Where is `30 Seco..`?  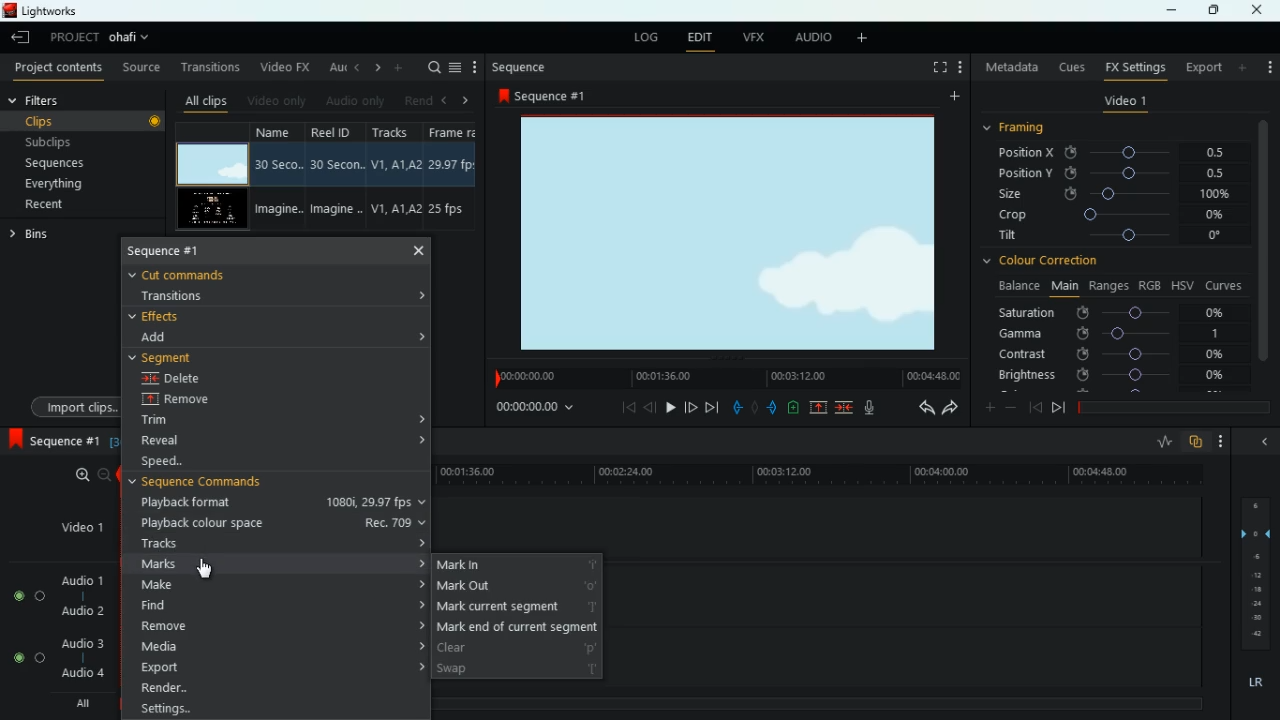 30 Seco.. is located at coordinates (281, 164).